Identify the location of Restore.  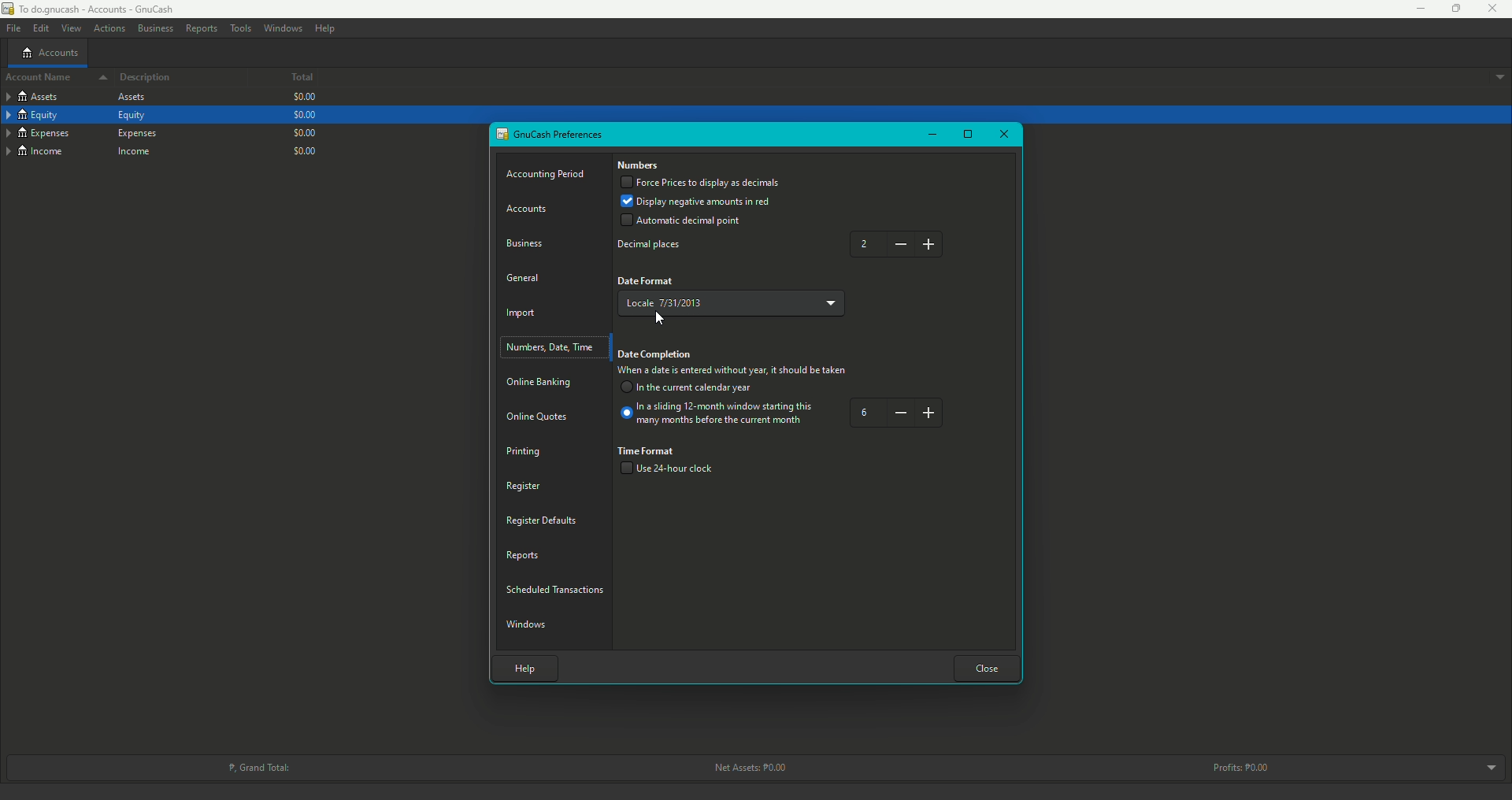
(1449, 9).